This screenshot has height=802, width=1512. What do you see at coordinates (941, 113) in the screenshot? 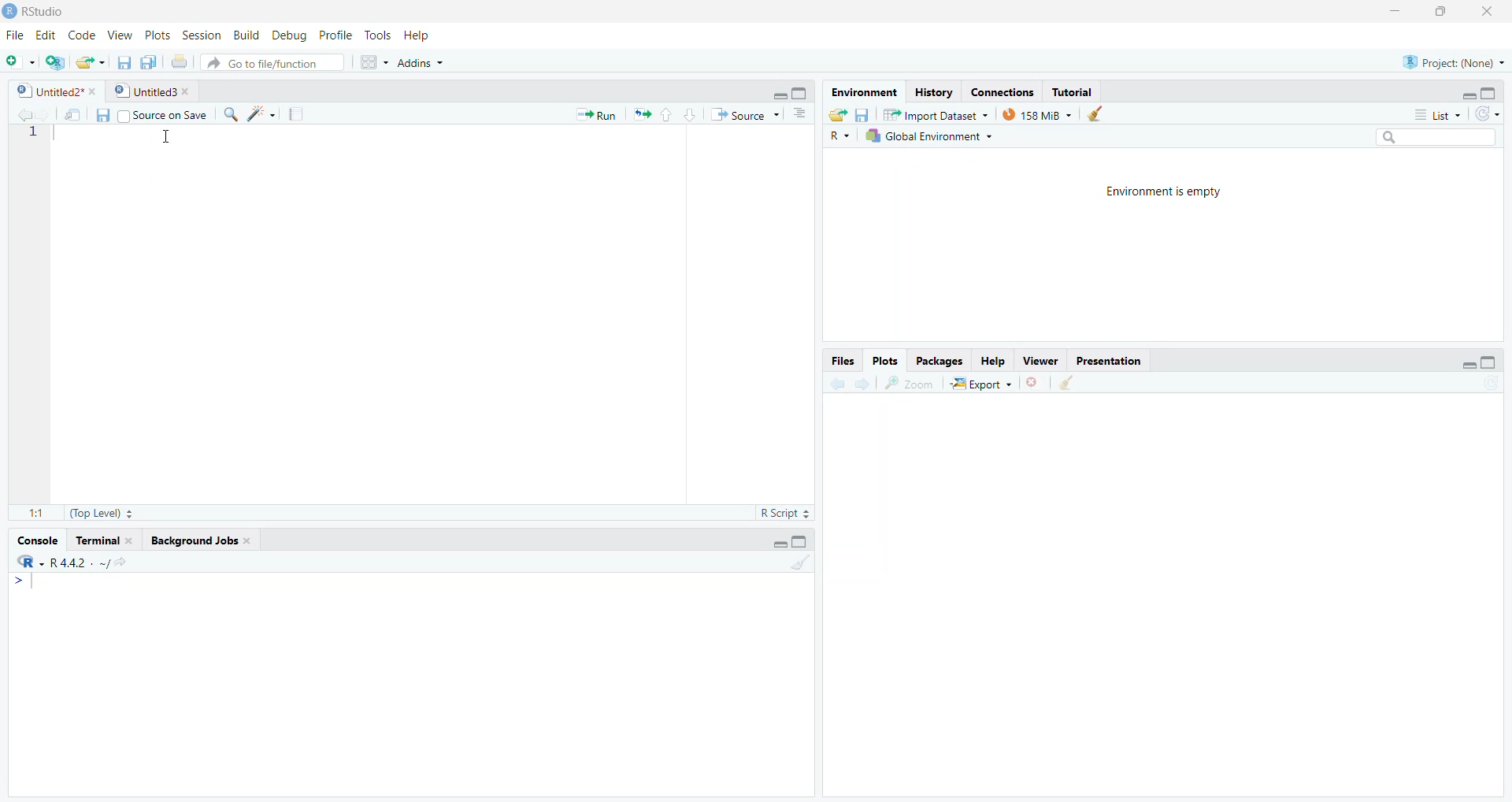
I see `Import Dataset ` at bounding box center [941, 113].